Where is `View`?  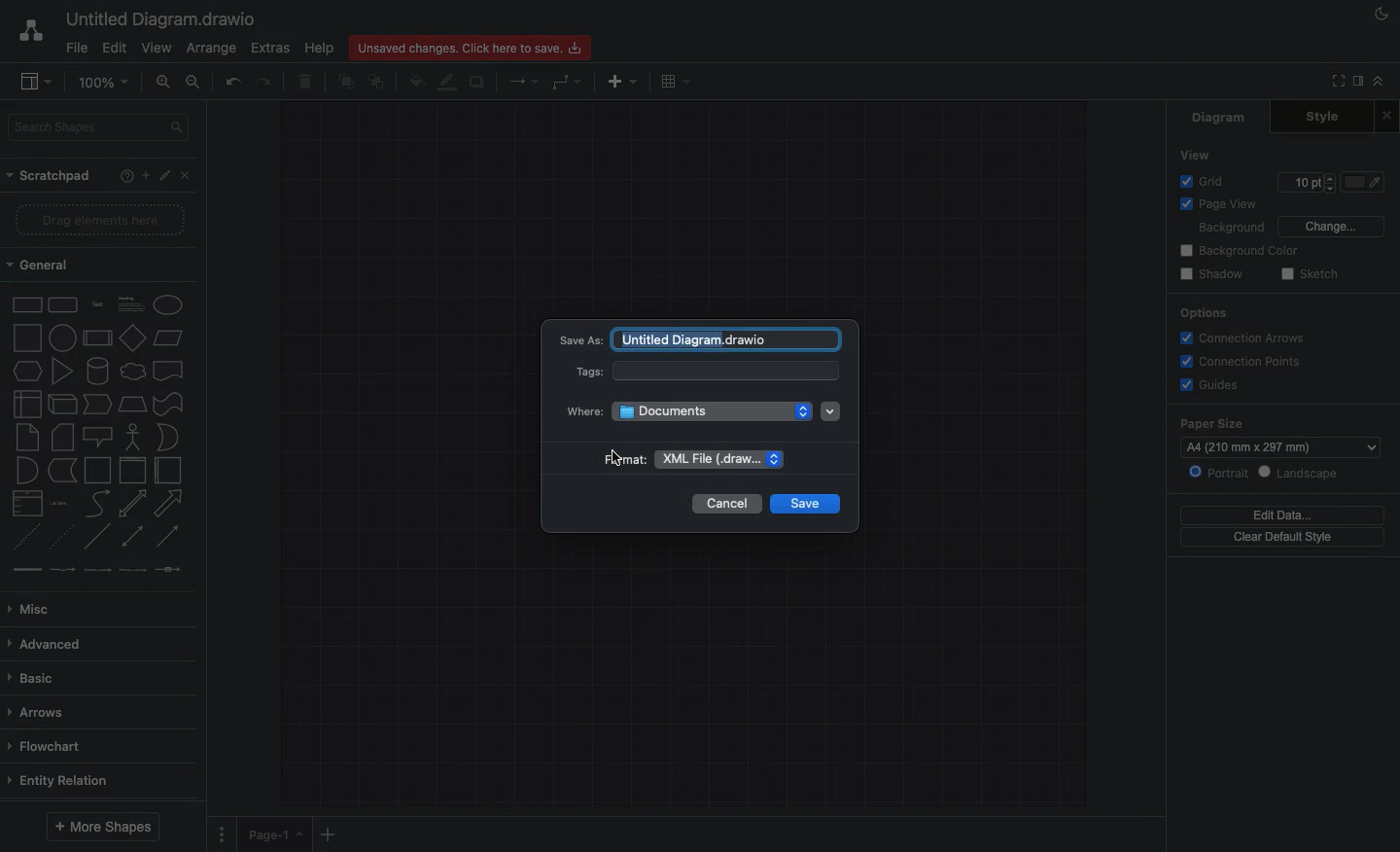 View is located at coordinates (1197, 154).